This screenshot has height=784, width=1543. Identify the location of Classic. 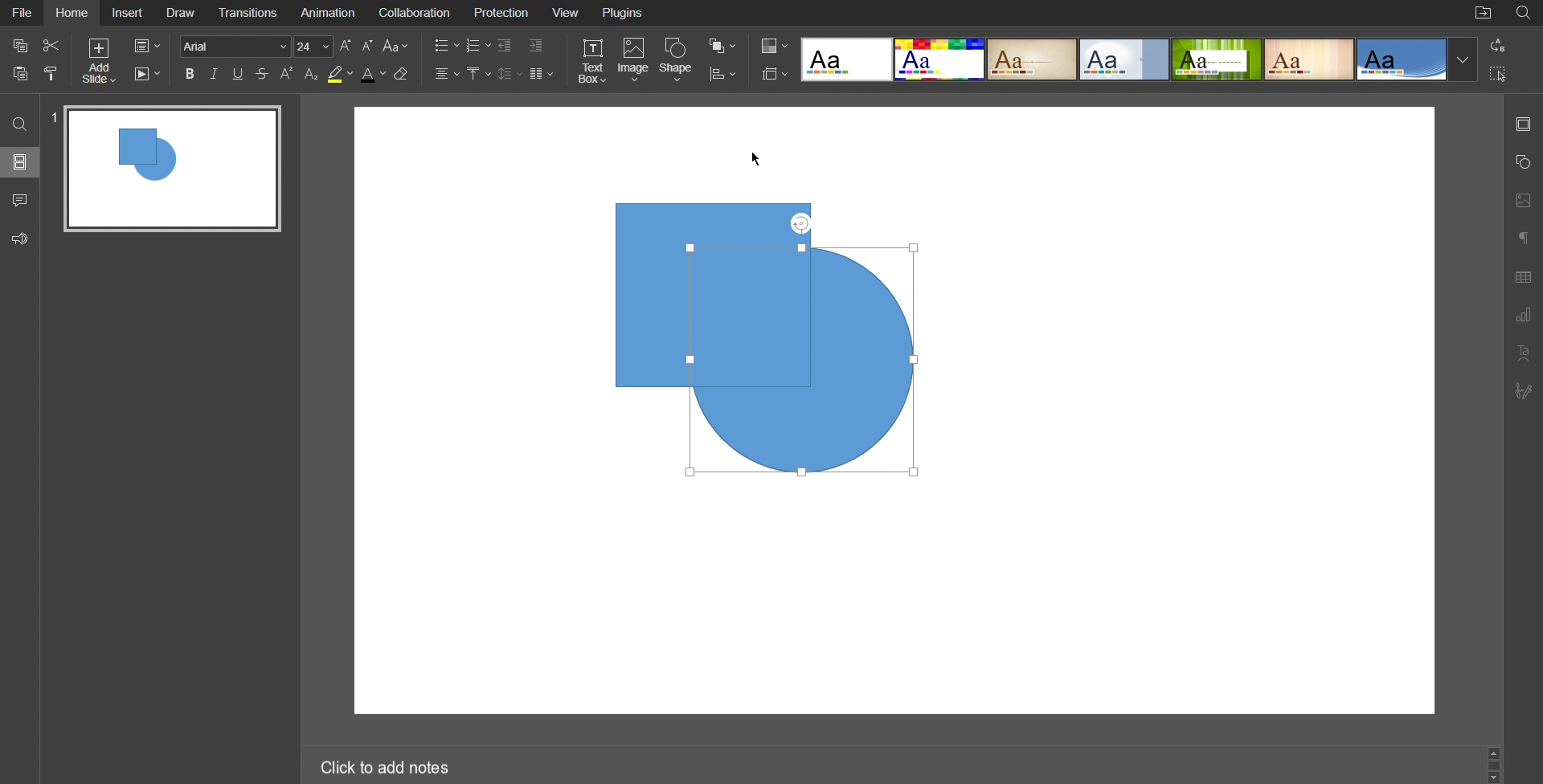
(1033, 59).